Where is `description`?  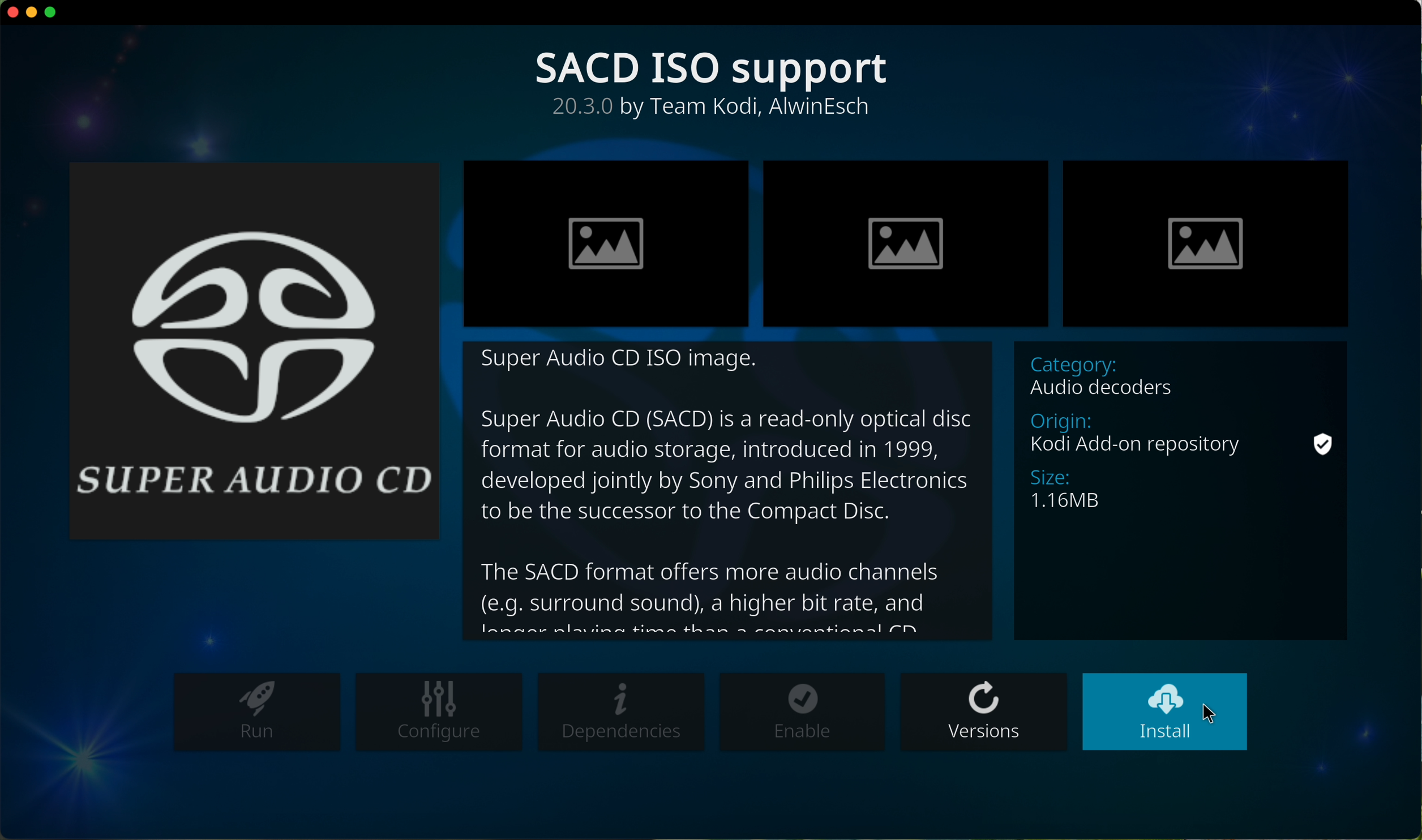
description is located at coordinates (730, 491).